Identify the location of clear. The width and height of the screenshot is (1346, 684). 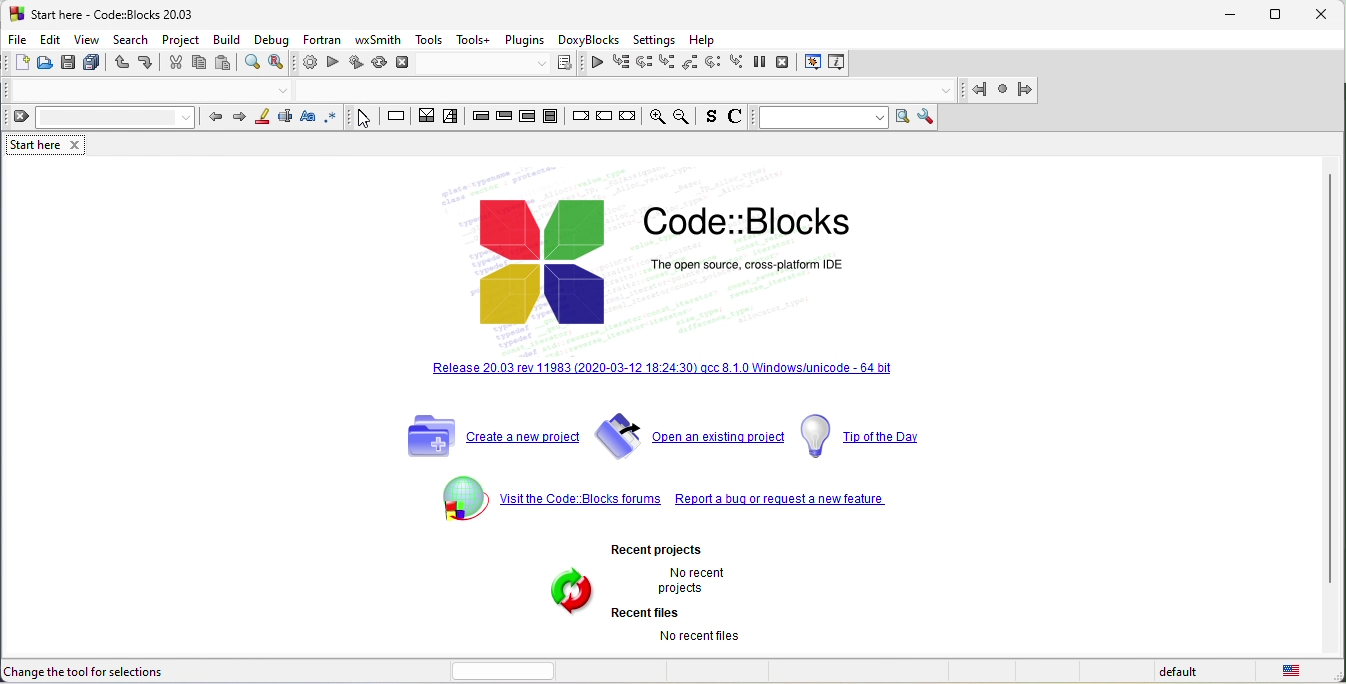
(99, 119).